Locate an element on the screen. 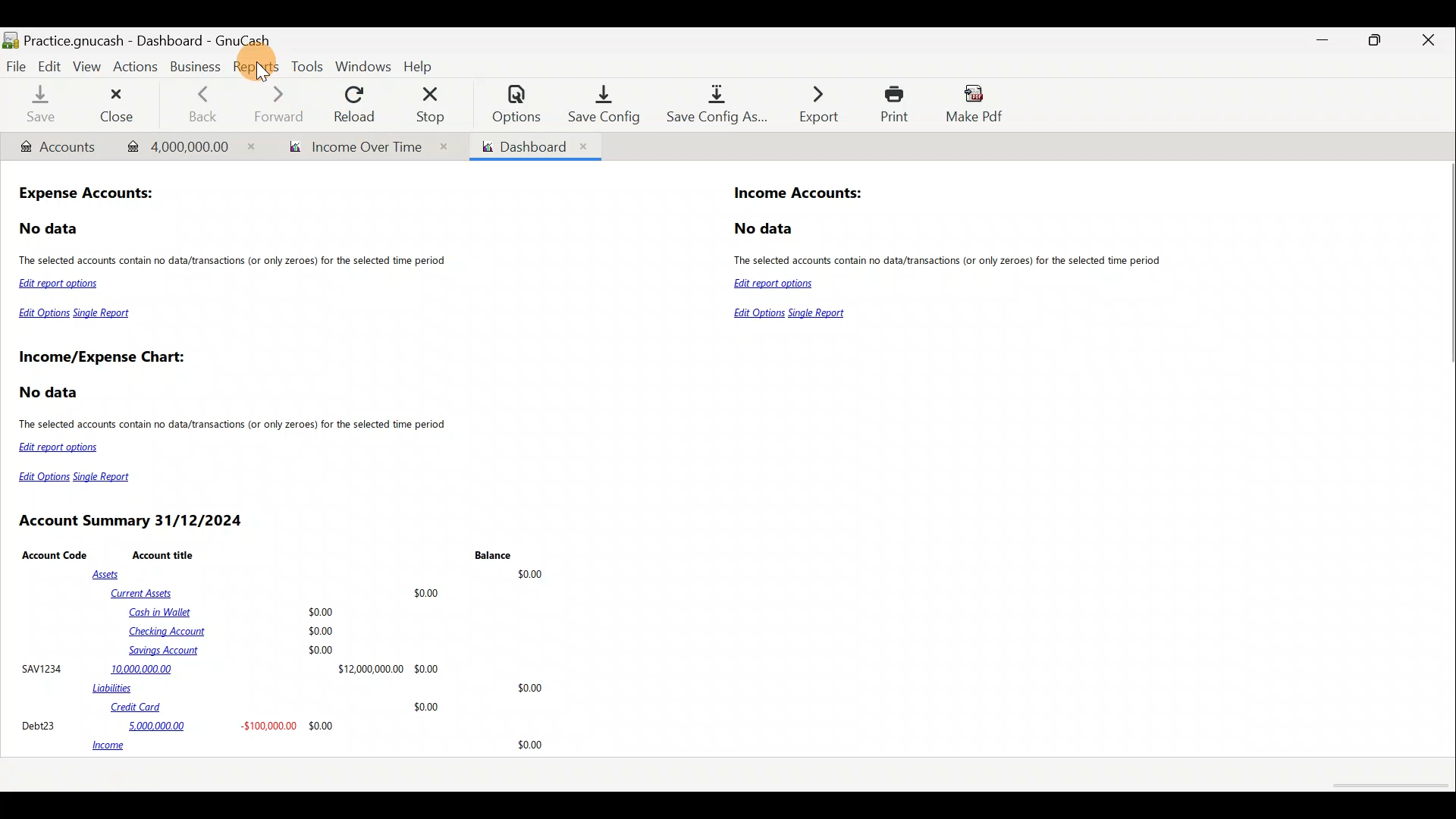 This screenshot has height=819, width=1456. Document name is located at coordinates (169, 36).